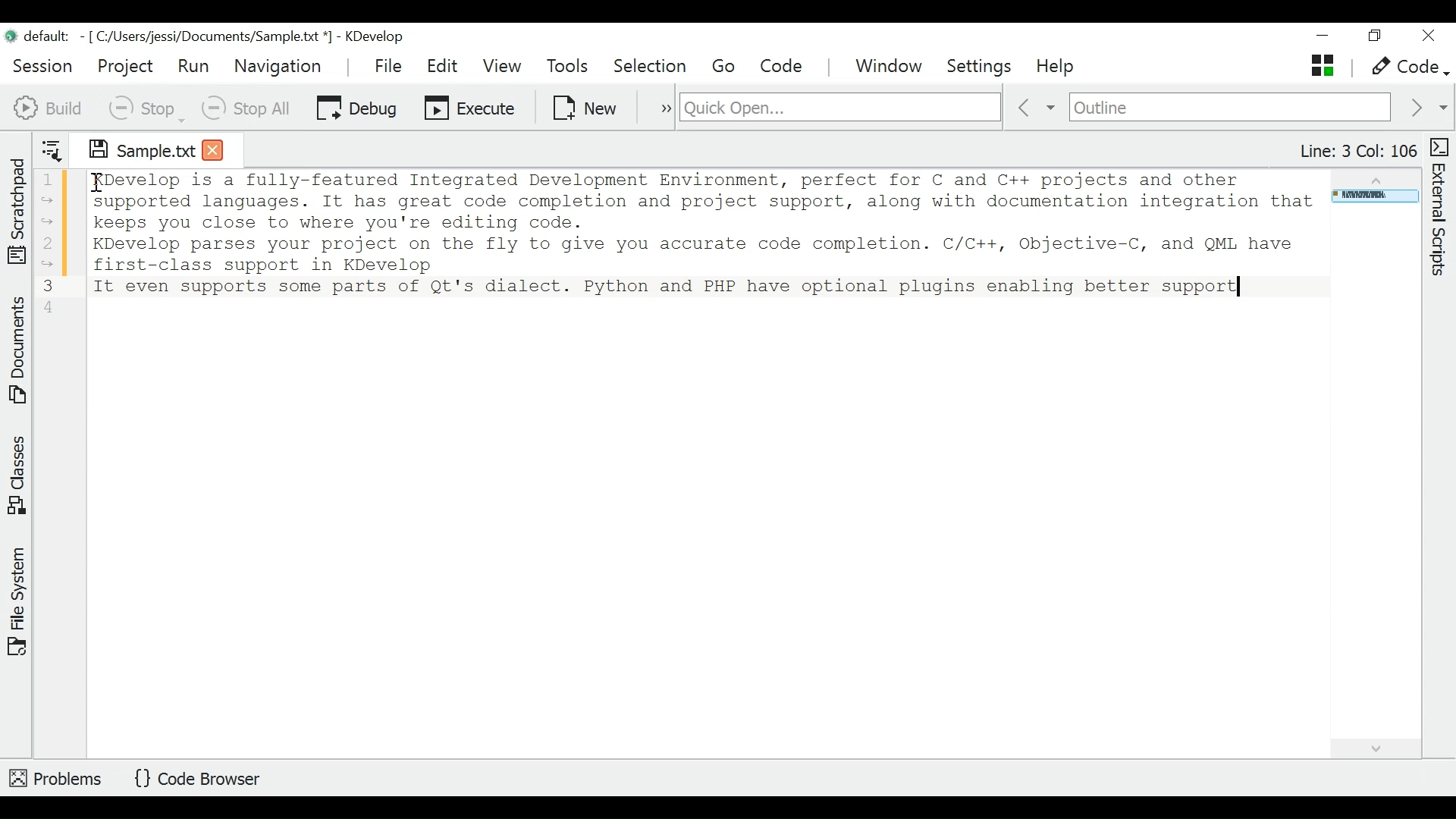 Image resolution: width=1456 pixels, height=819 pixels. What do you see at coordinates (677, 237) in the screenshot?
I see `1 KDevelop is a fully-featured Integrated Development Environment, perfect for C and C++ projects and other supported languages. It has great code completion and project support, along with documentation integration that keeps you close to where you're editing code. 2 KDevelop parses your project on the fly to give you accurate code completion. C/C++, Objective-C, and QML have first-class support in KDevelop. 3 It even supports some parts of Qt's dialect. Python and PHP have optional plugins enabling better support.` at bounding box center [677, 237].